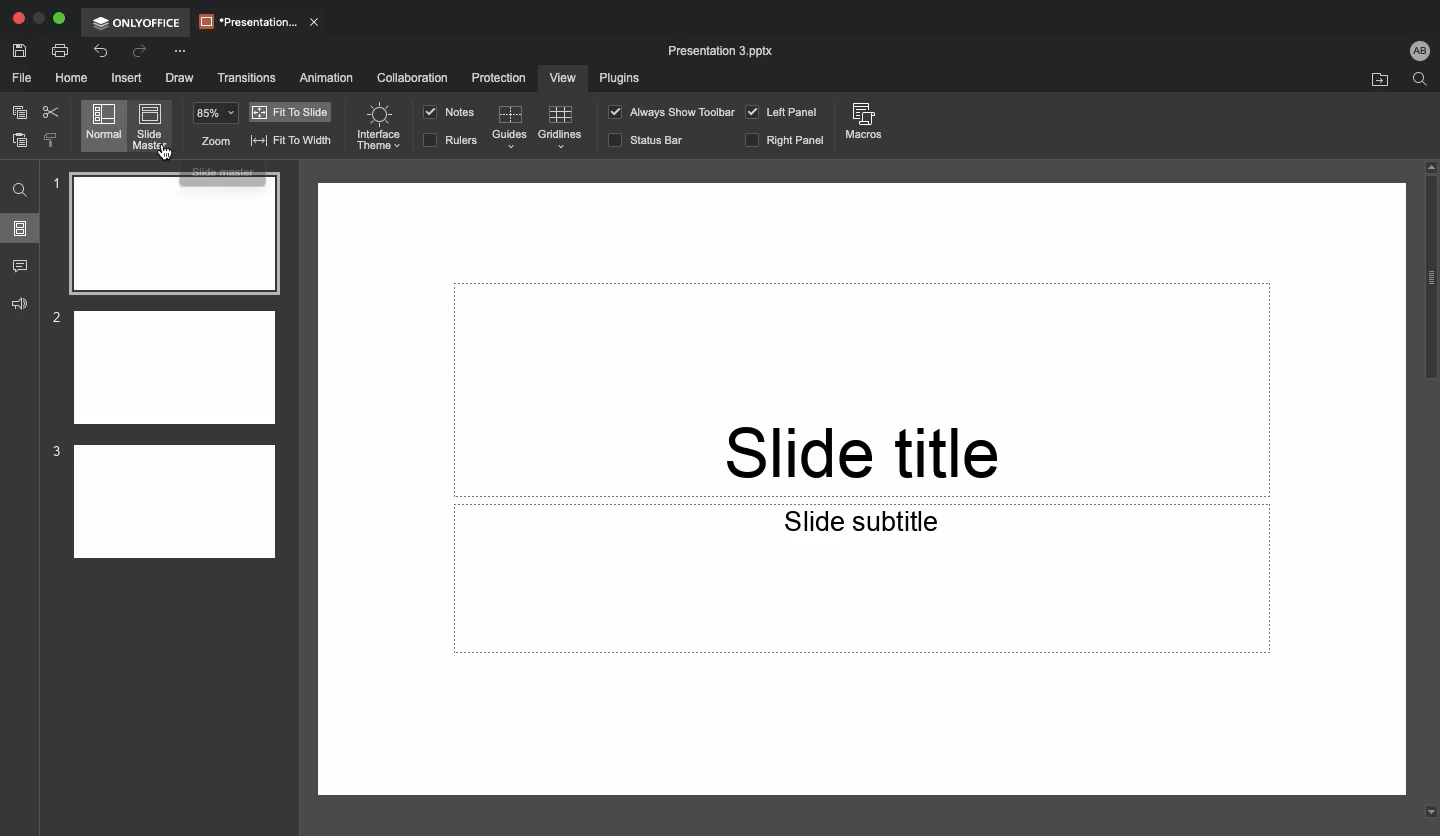 The image size is (1440, 836). I want to click on Find and replace, so click(21, 188).